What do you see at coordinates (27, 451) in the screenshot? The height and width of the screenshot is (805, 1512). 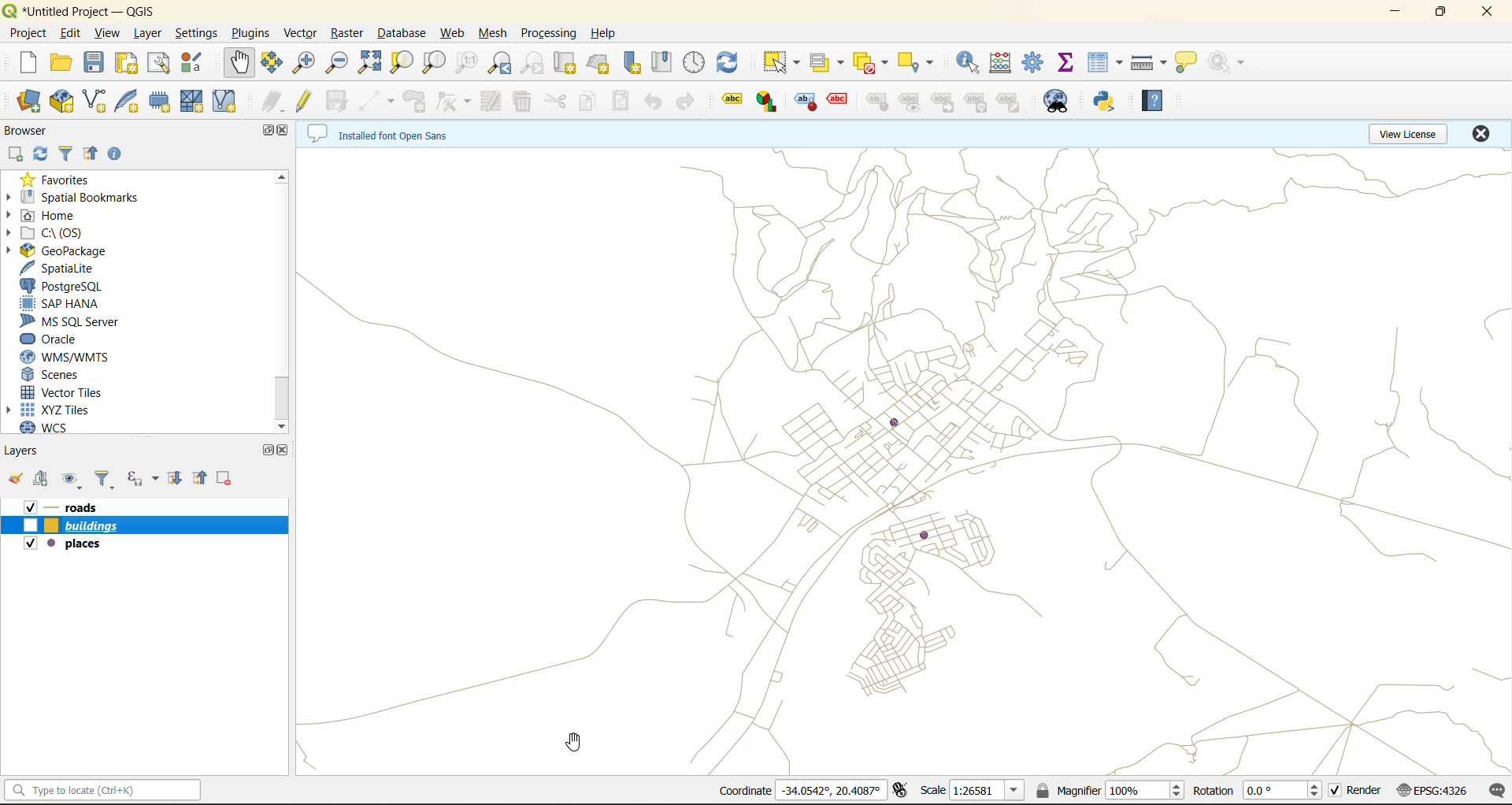 I see `layers` at bounding box center [27, 451].